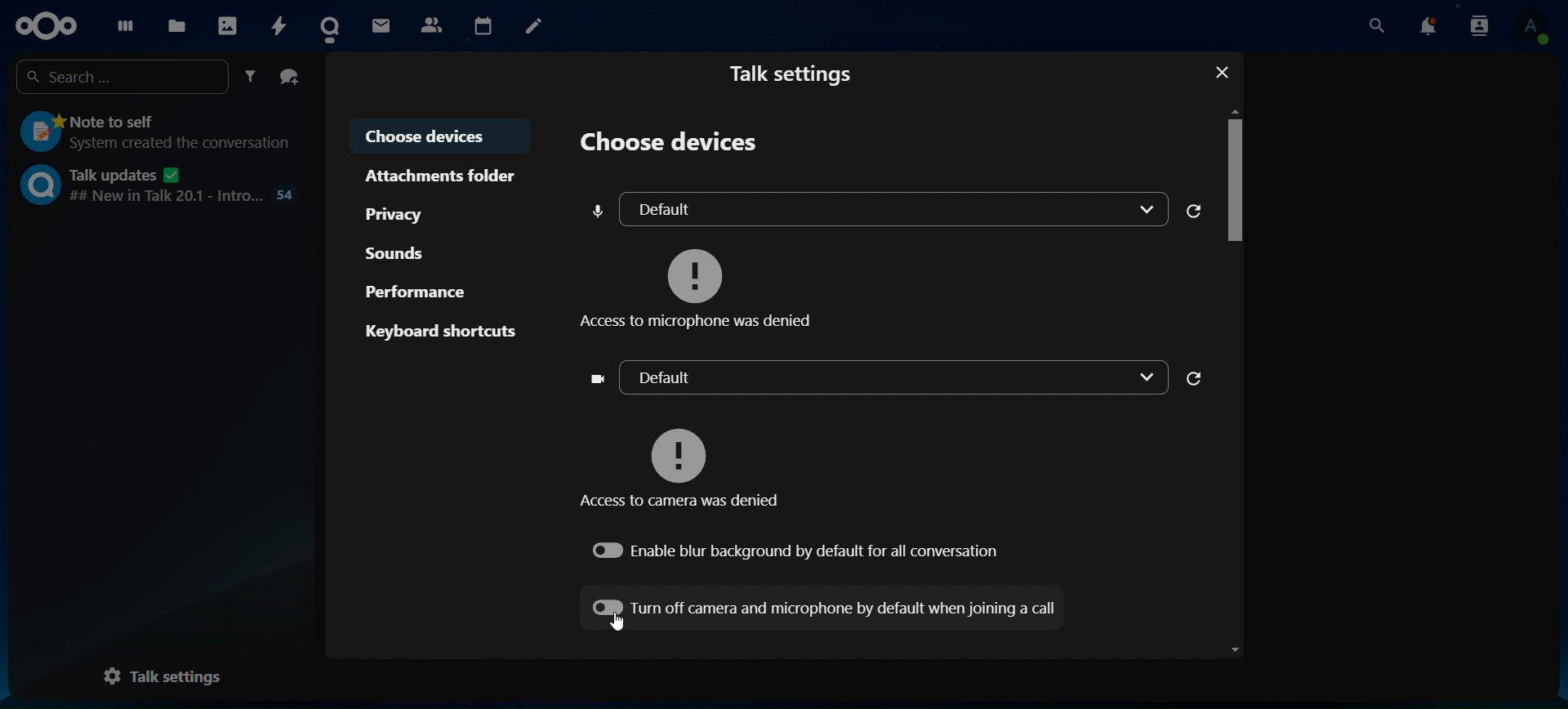 Image resolution: width=1568 pixels, height=709 pixels. Describe the element at coordinates (1530, 28) in the screenshot. I see `view profile` at that location.